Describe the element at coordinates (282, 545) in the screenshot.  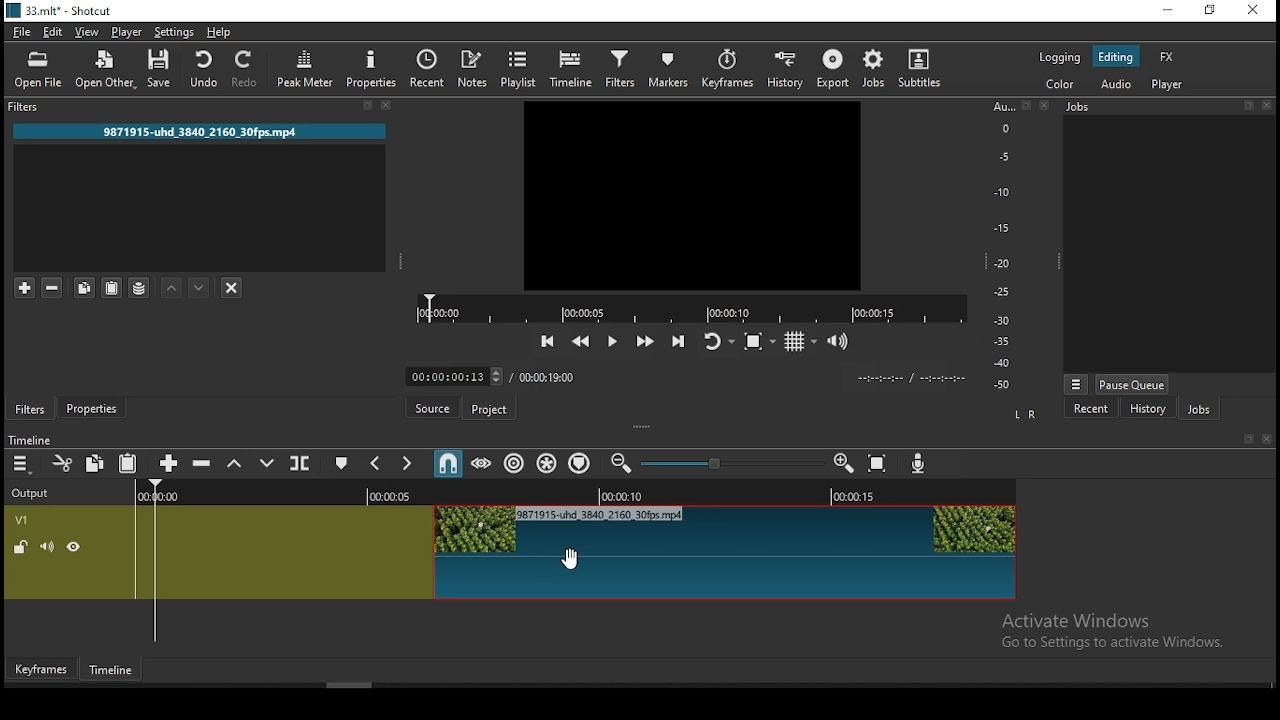
I see `video track` at that location.